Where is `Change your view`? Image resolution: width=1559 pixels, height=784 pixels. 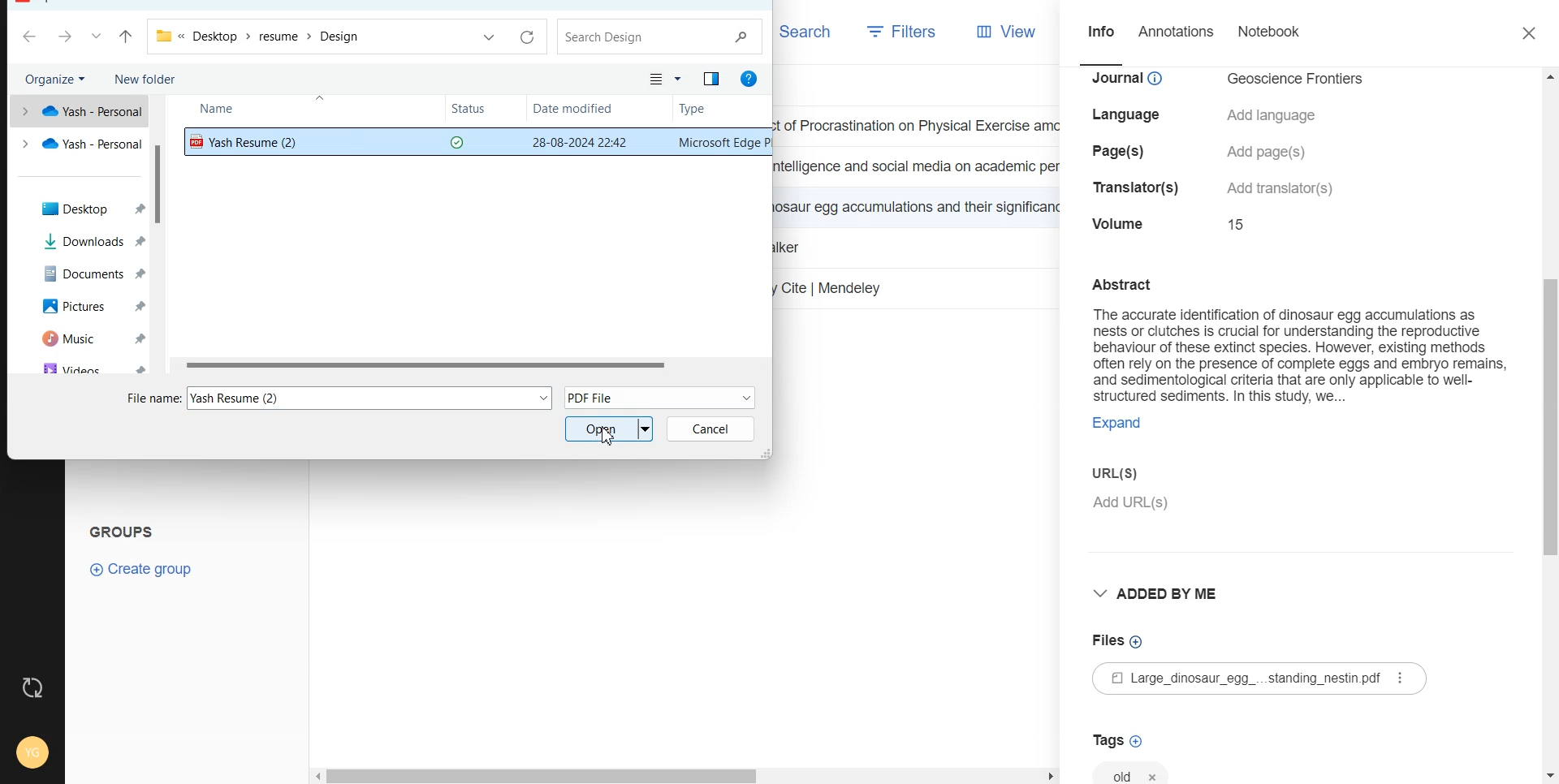 Change your view is located at coordinates (666, 79).